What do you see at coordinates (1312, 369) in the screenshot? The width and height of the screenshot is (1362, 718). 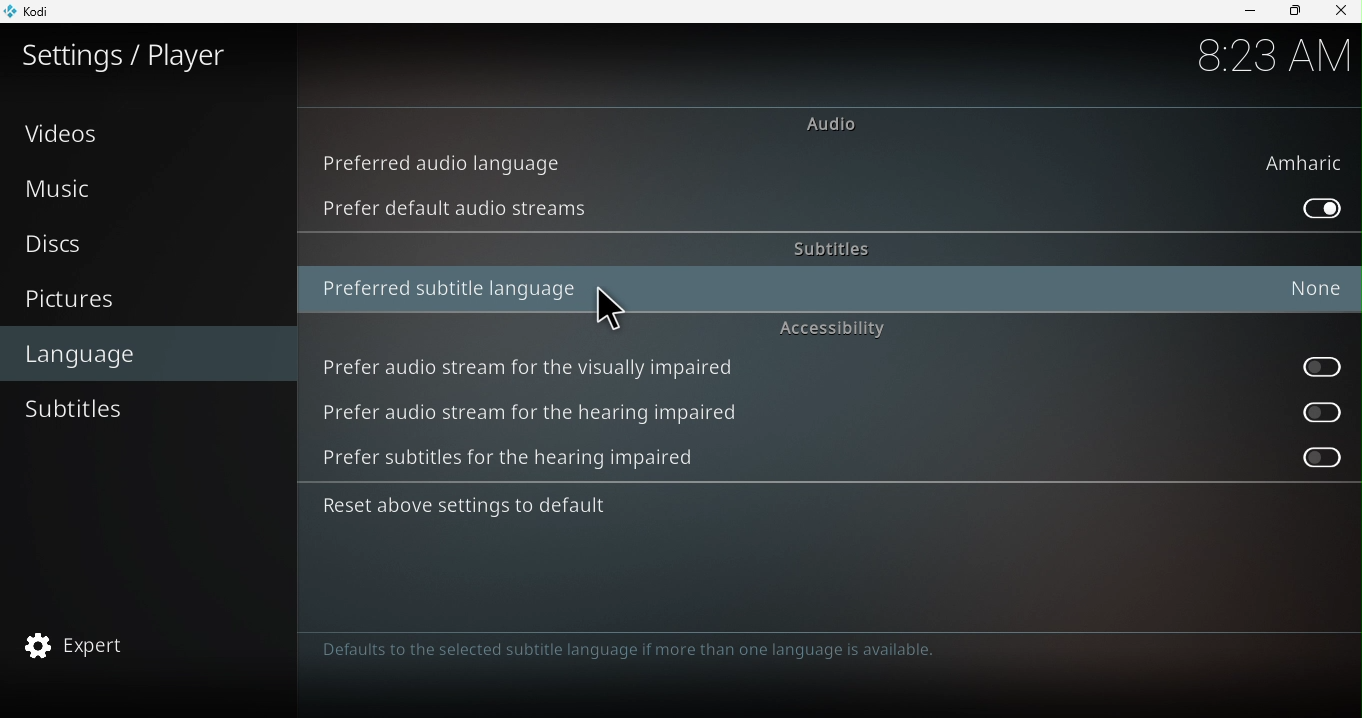 I see `Prefer audio stream for the visually impaired` at bounding box center [1312, 369].